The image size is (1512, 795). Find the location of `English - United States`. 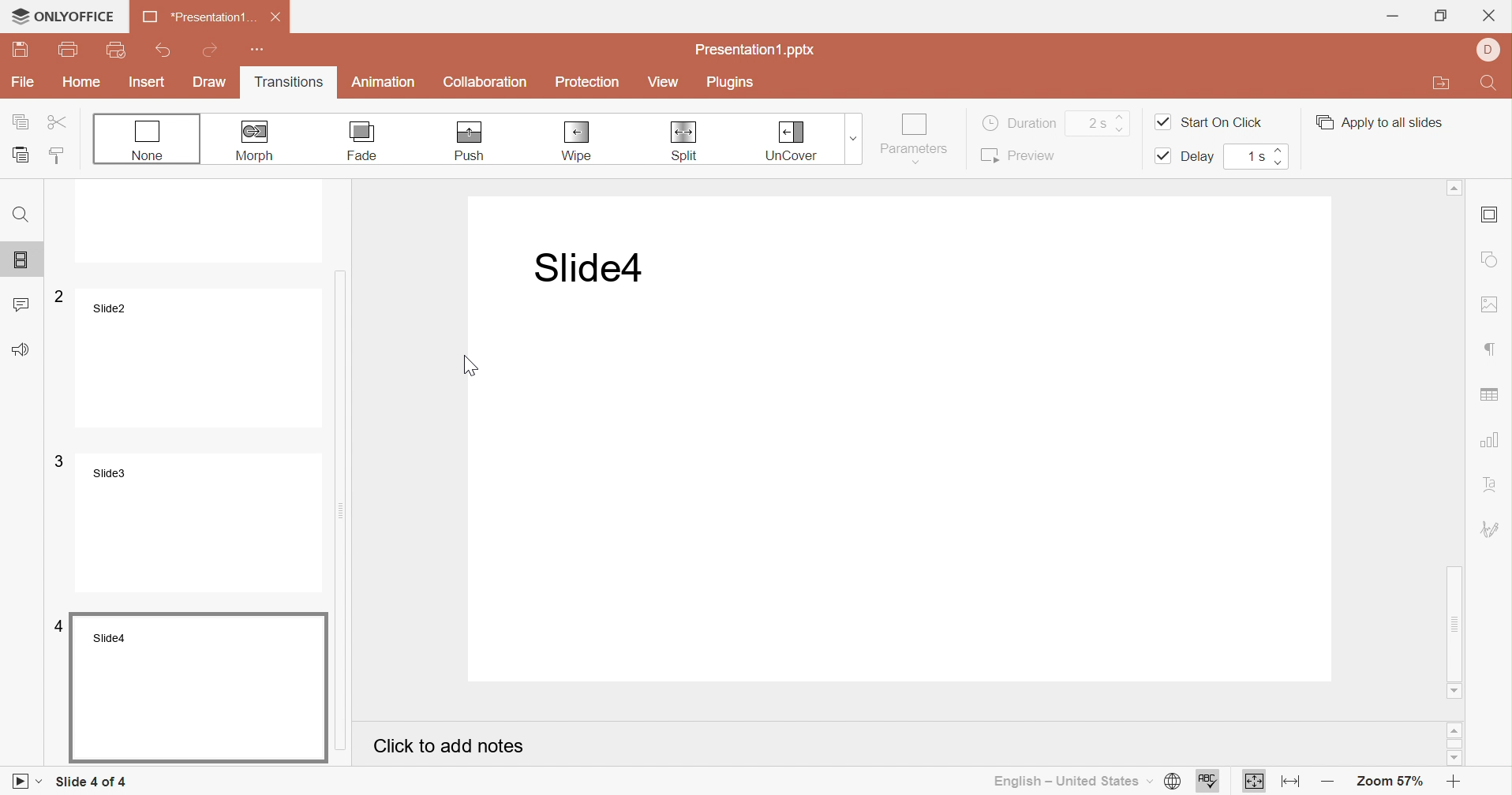

English - United States is located at coordinates (1074, 782).